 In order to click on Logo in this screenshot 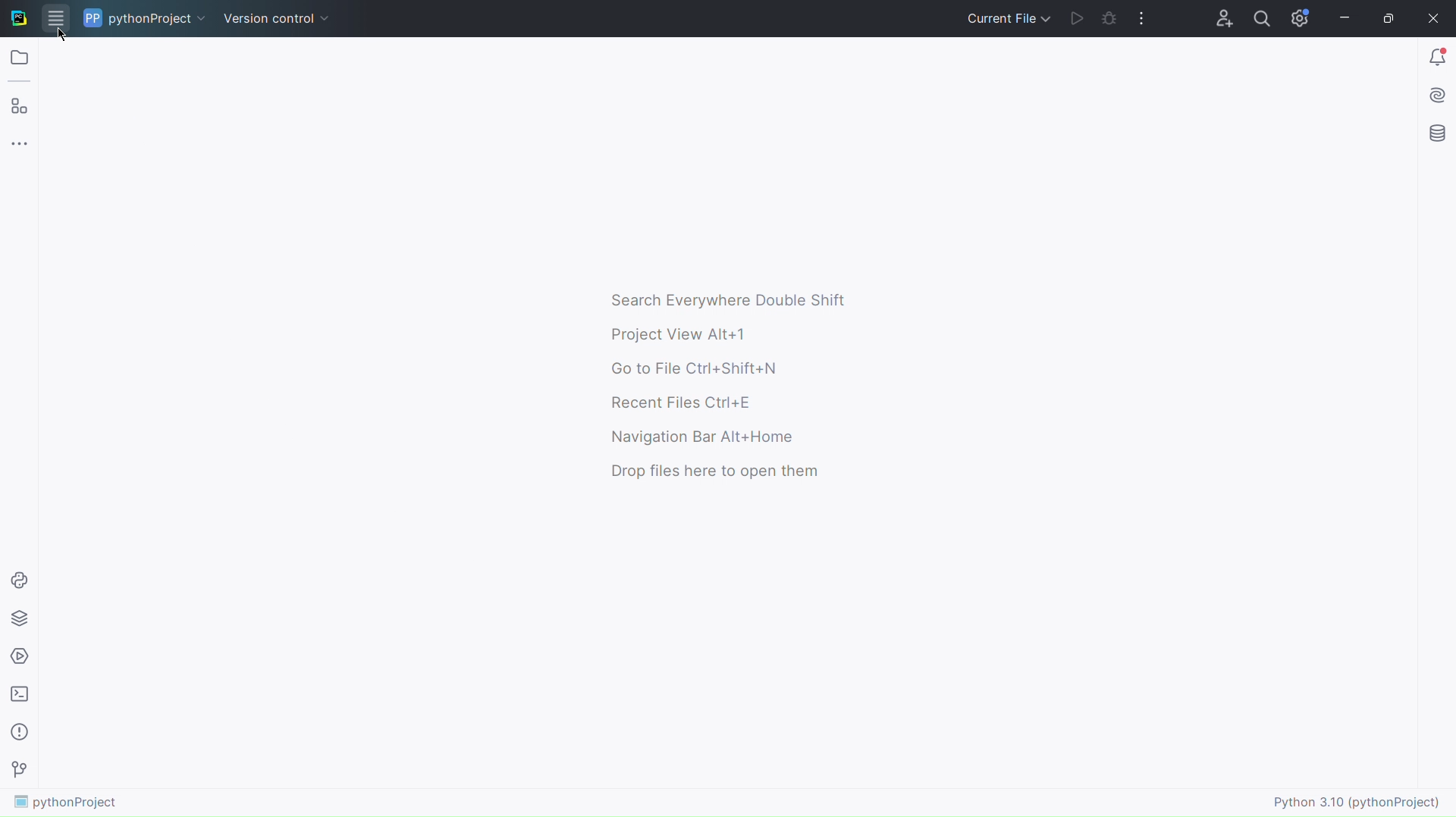, I will do `click(17, 18)`.